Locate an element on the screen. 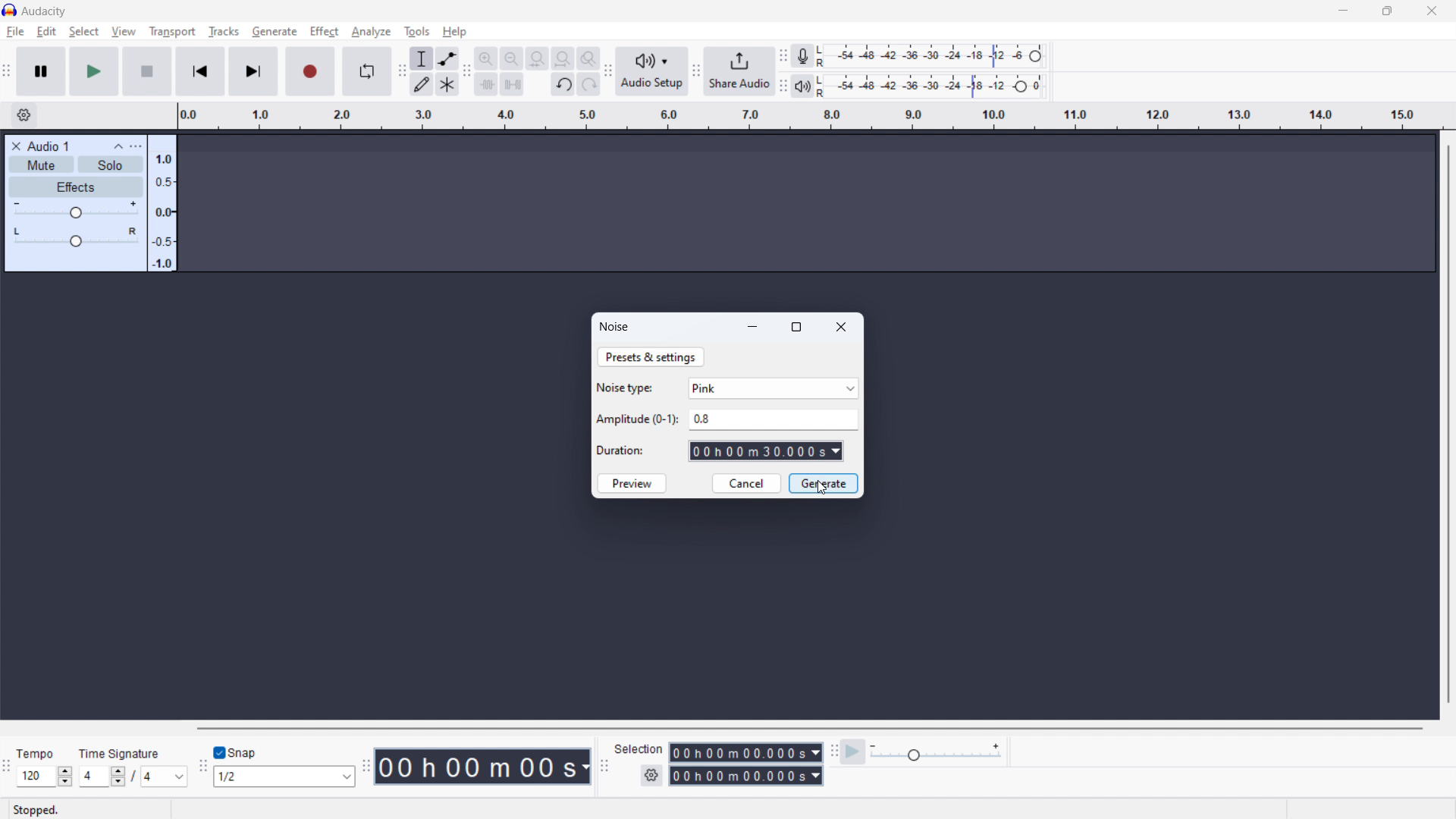  record is located at coordinates (309, 72).